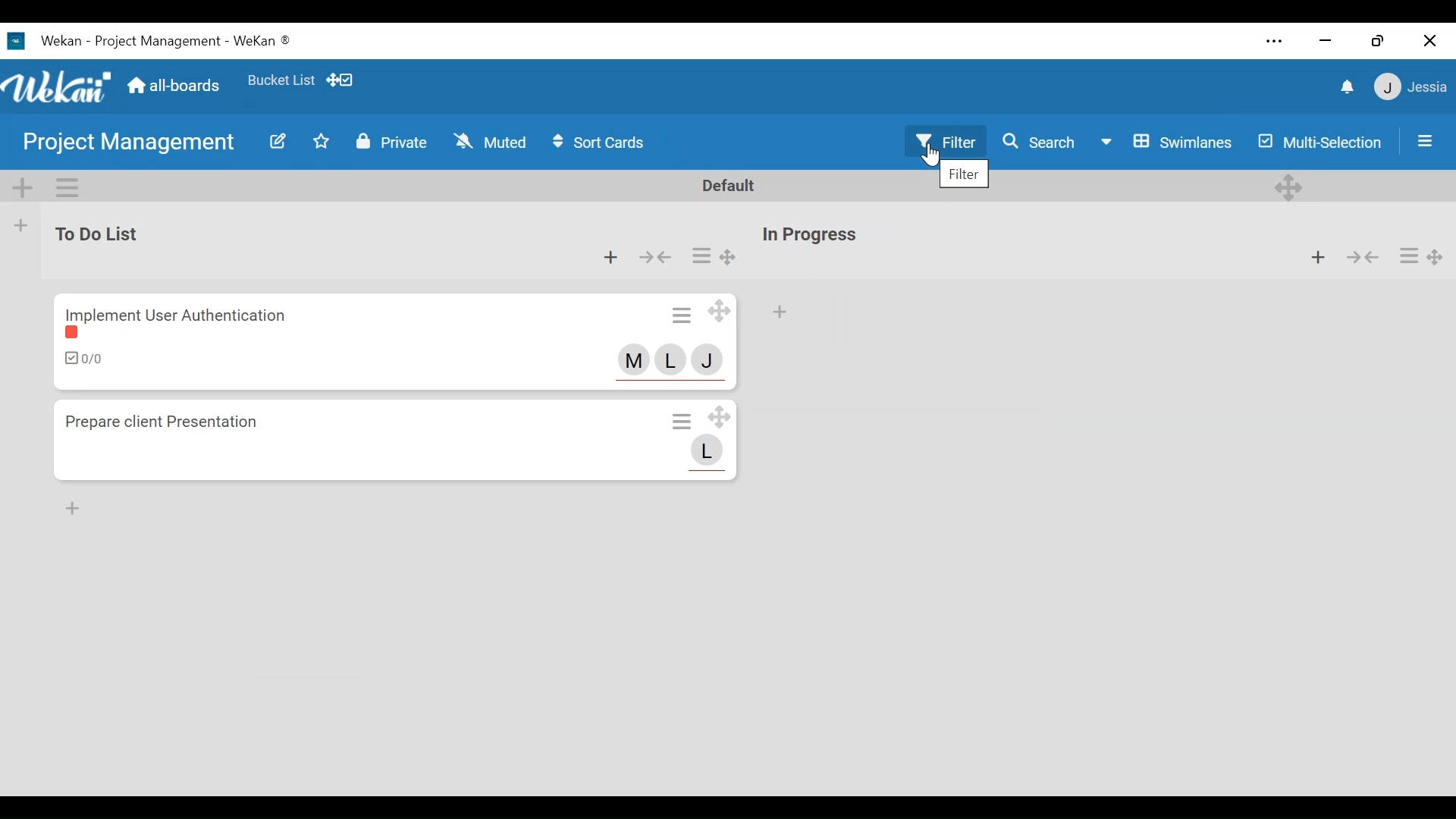 The height and width of the screenshot is (819, 1456). What do you see at coordinates (734, 257) in the screenshot?
I see `Desktop drag handles` at bounding box center [734, 257].